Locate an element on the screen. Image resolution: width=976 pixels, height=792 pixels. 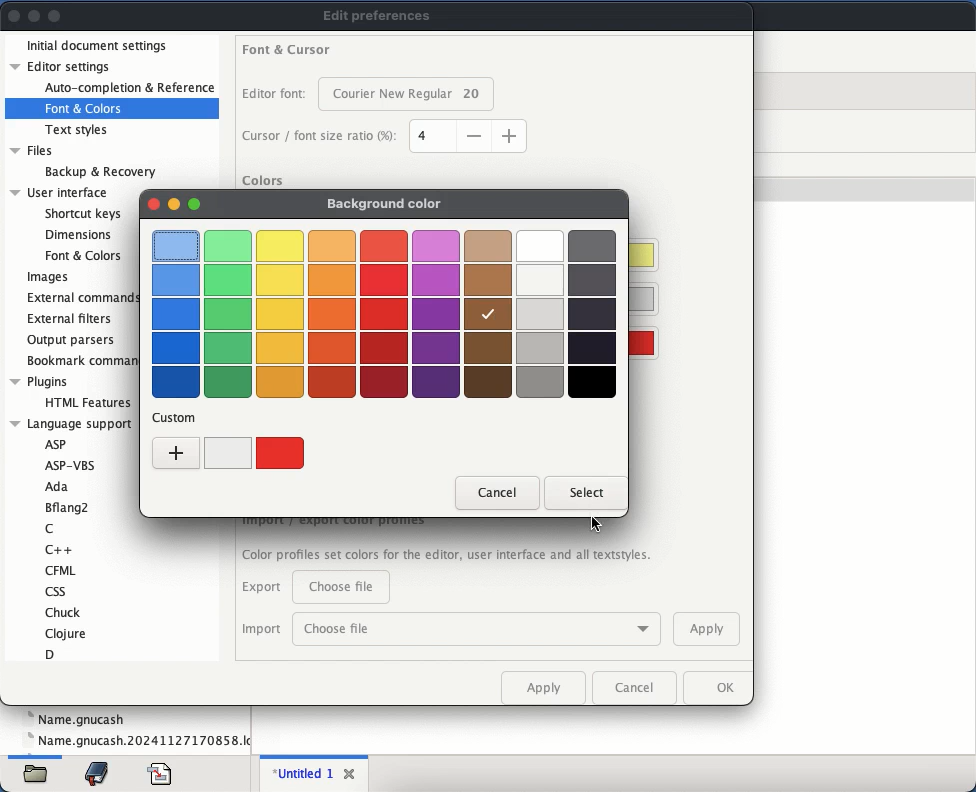
close is located at coordinates (153, 202).